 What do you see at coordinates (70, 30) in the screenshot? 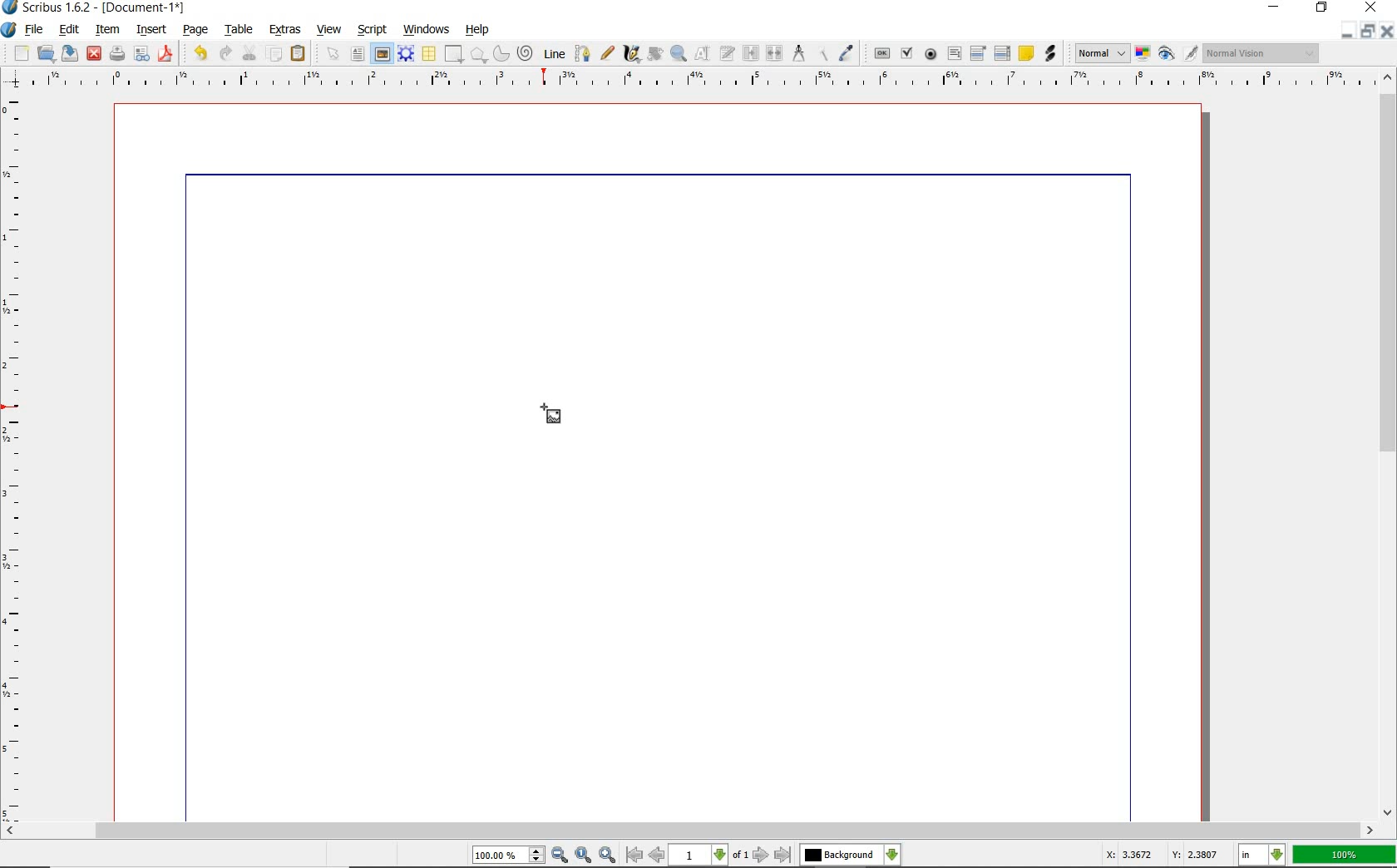
I see `edit` at bounding box center [70, 30].